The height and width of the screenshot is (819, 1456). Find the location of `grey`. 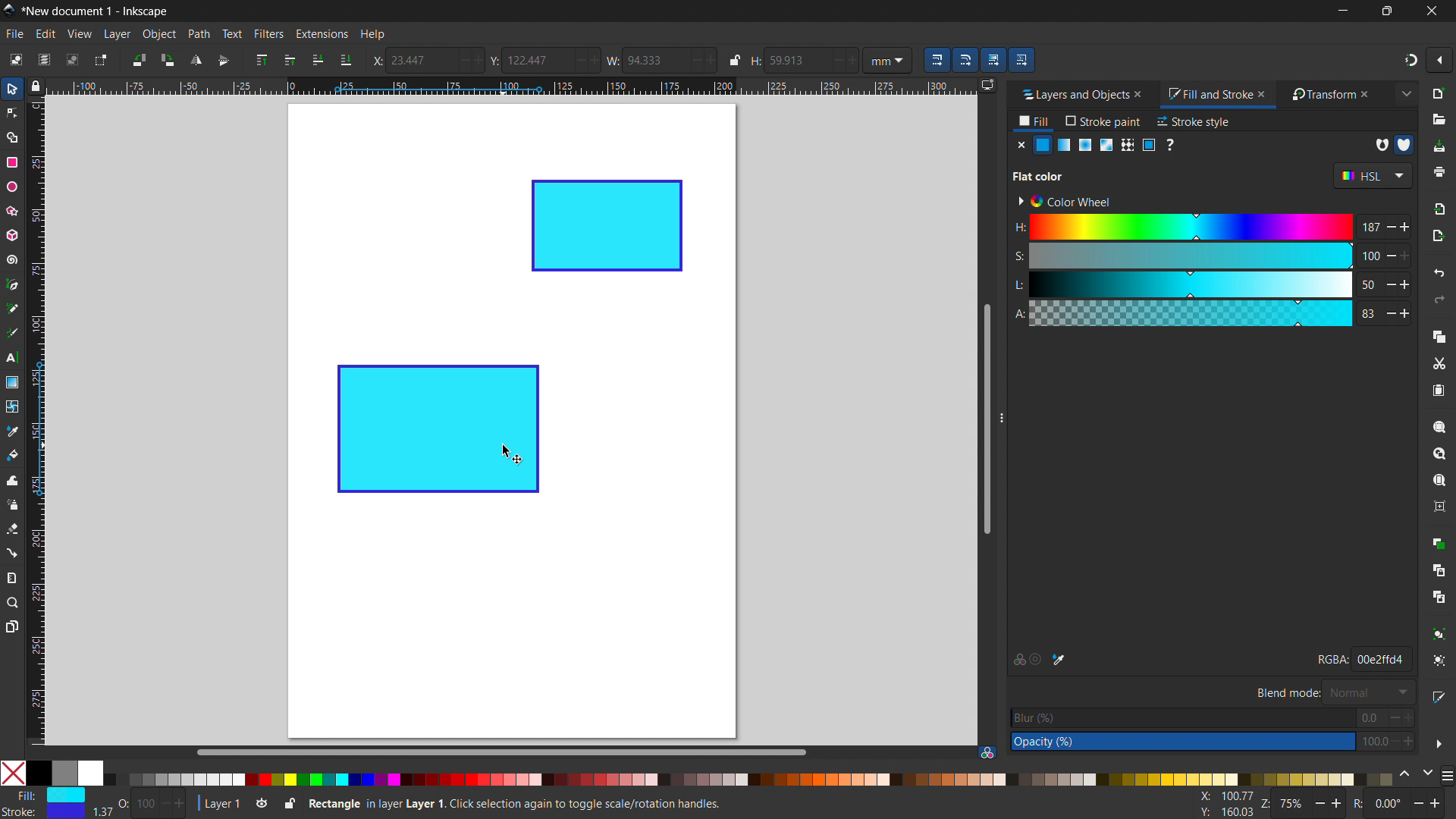

grey is located at coordinates (64, 773).